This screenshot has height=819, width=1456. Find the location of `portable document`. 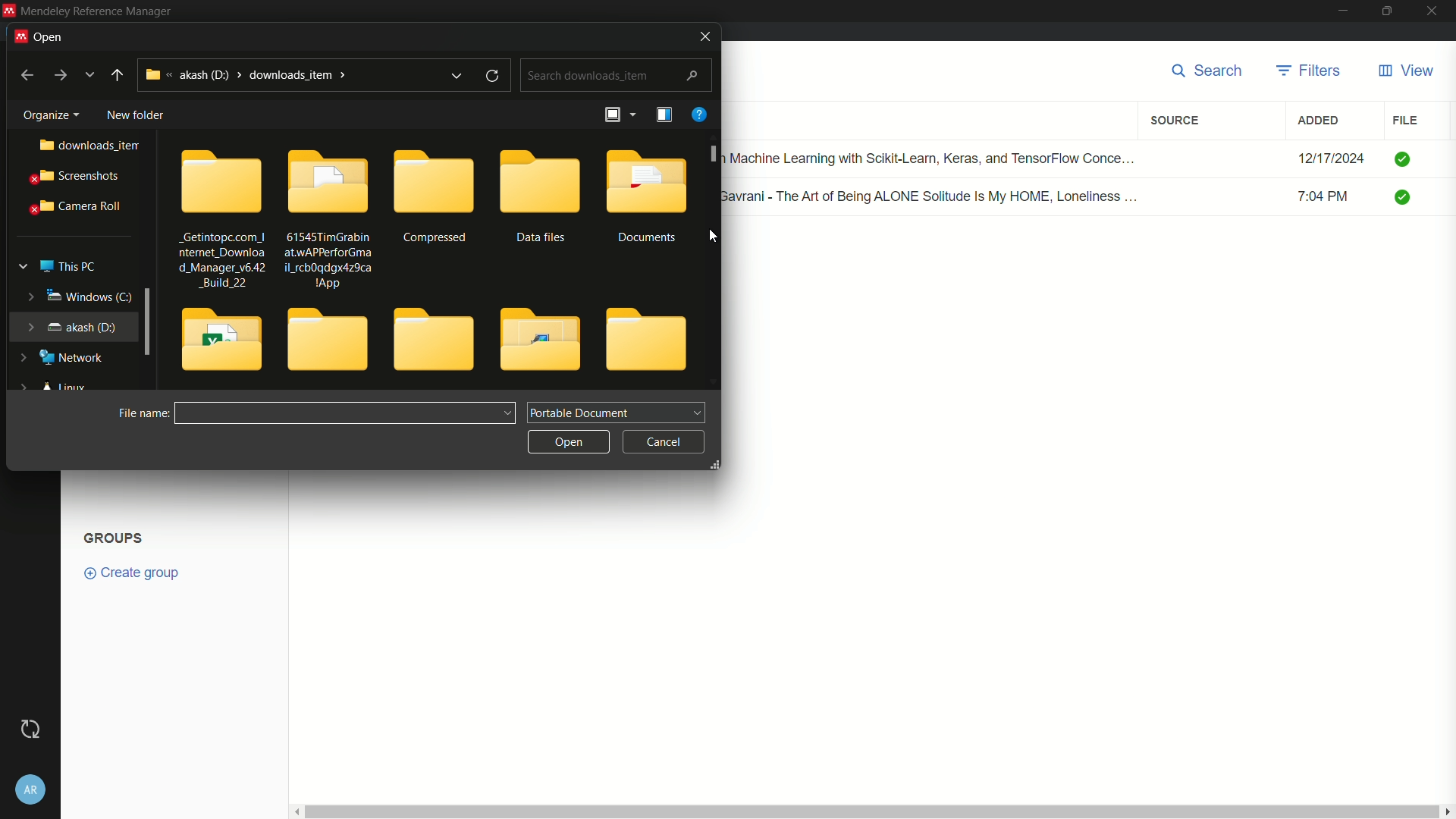

portable document is located at coordinates (617, 411).